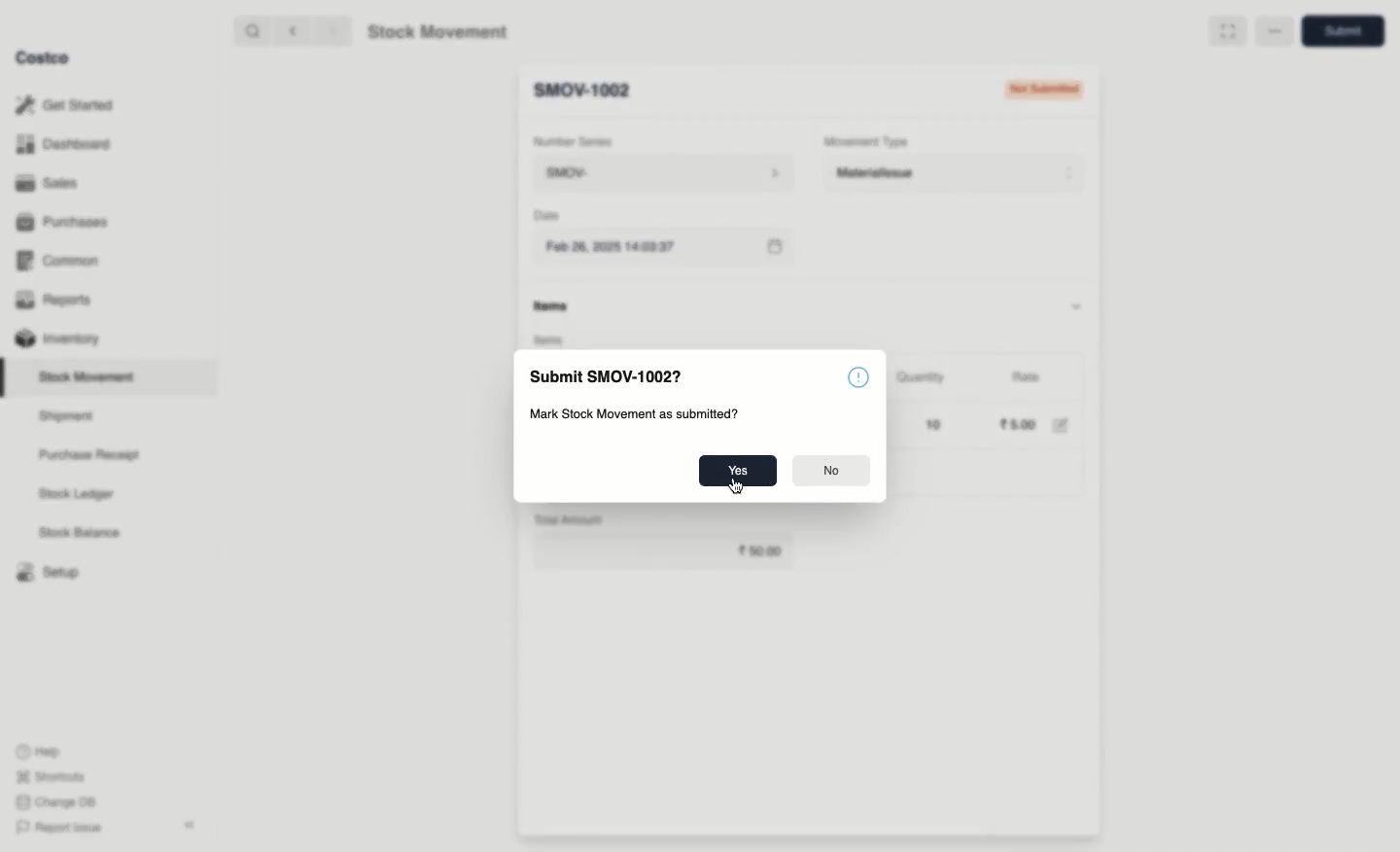 This screenshot has width=1400, height=852. I want to click on Yes, so click(735, 470).